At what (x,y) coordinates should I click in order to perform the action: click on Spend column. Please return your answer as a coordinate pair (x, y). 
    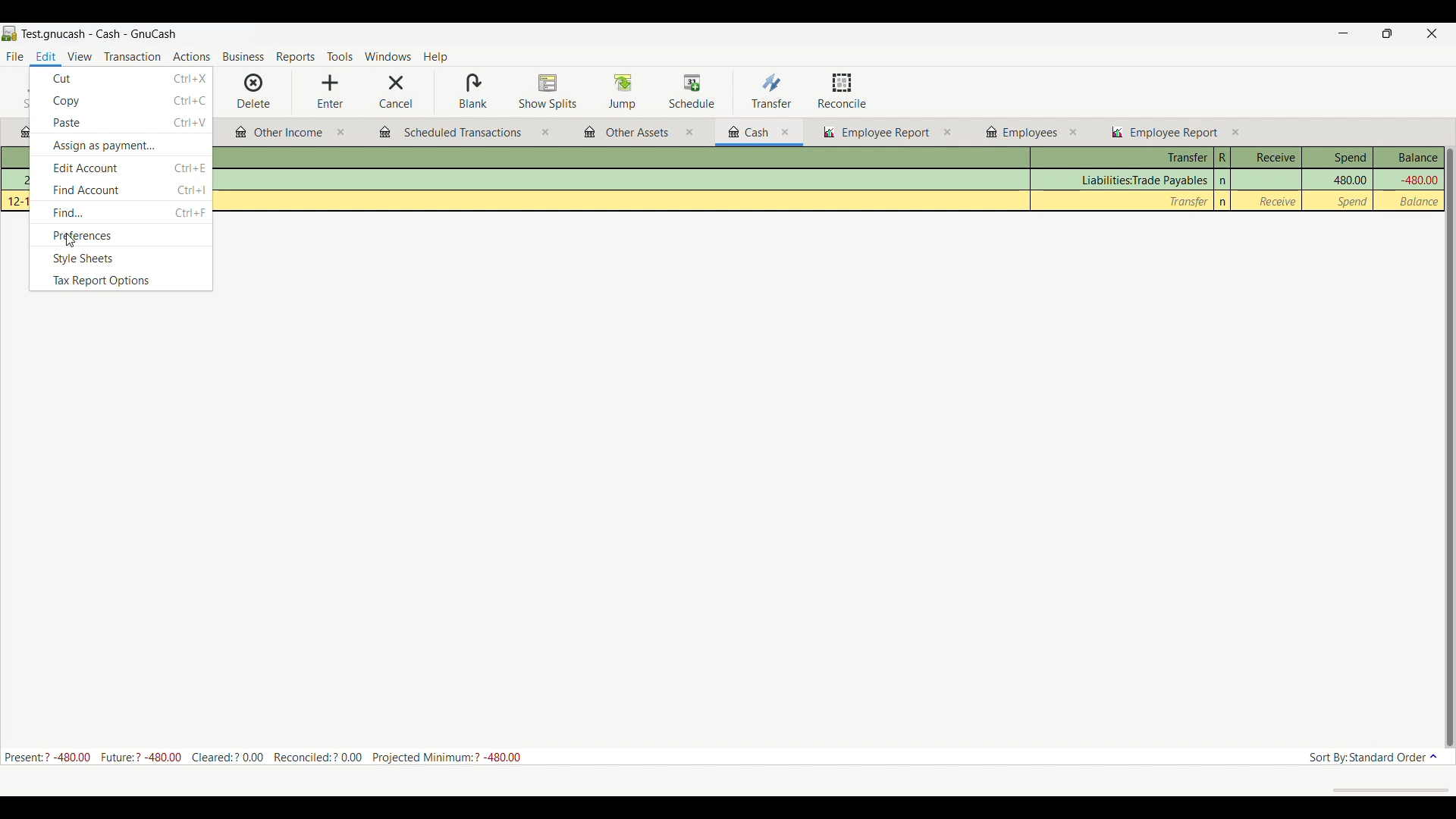
    Looking at the image, I should click on (1338, 158).